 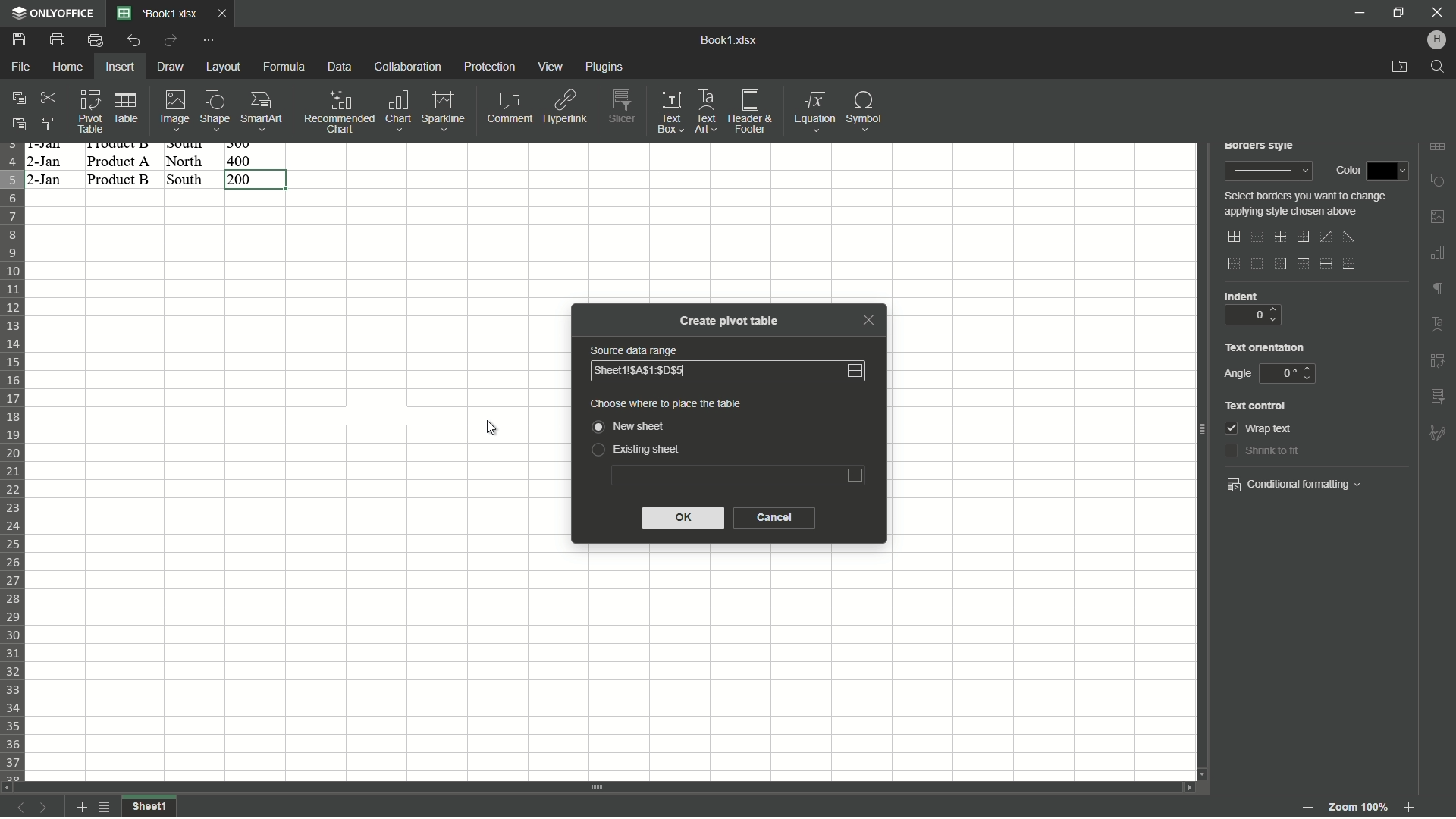 What do you see at coordinates (1200, 774) in the screenshot?
I see `scroll down` at bounding box center [1200, 774].